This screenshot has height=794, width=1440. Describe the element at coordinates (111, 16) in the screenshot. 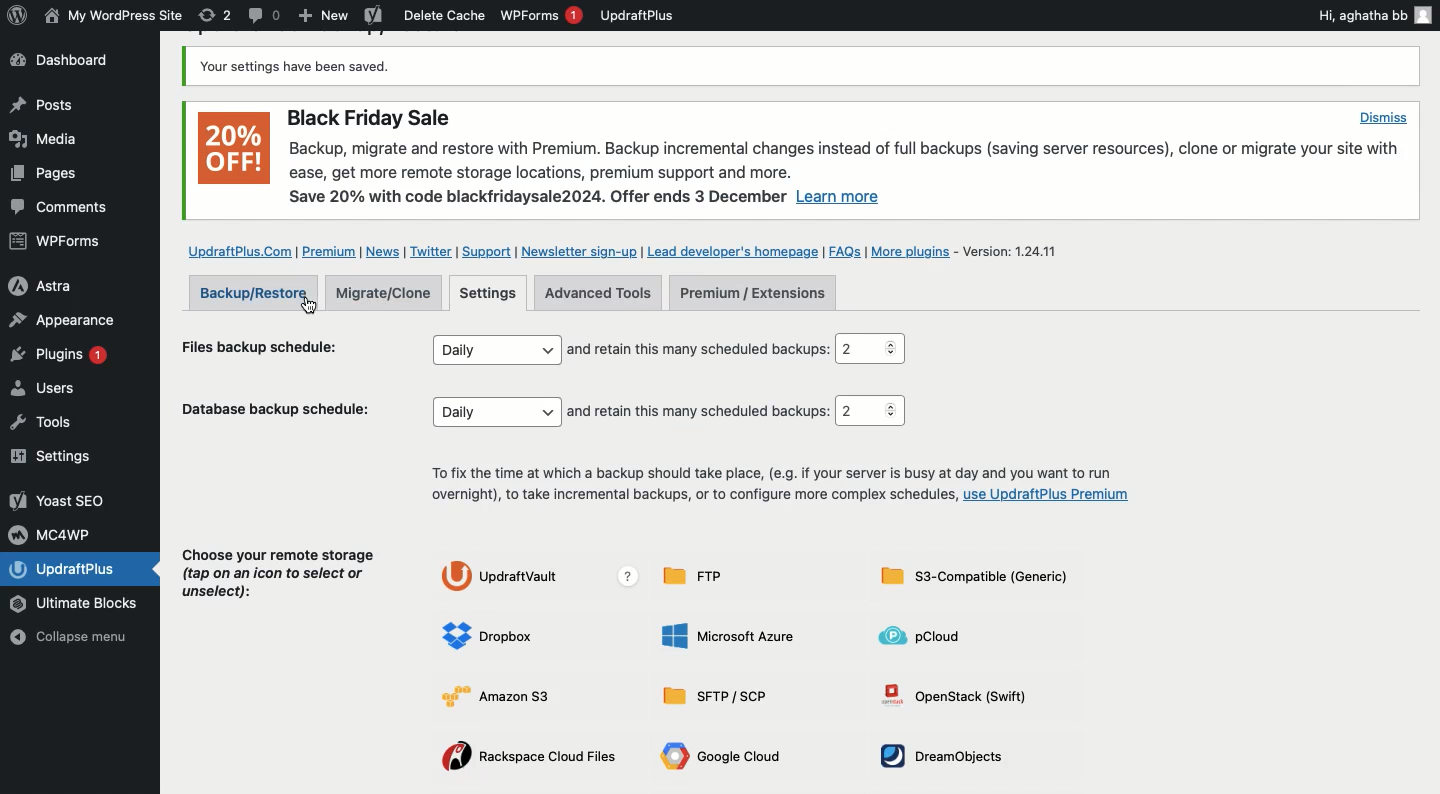

I see `WordPress Site` at that location.